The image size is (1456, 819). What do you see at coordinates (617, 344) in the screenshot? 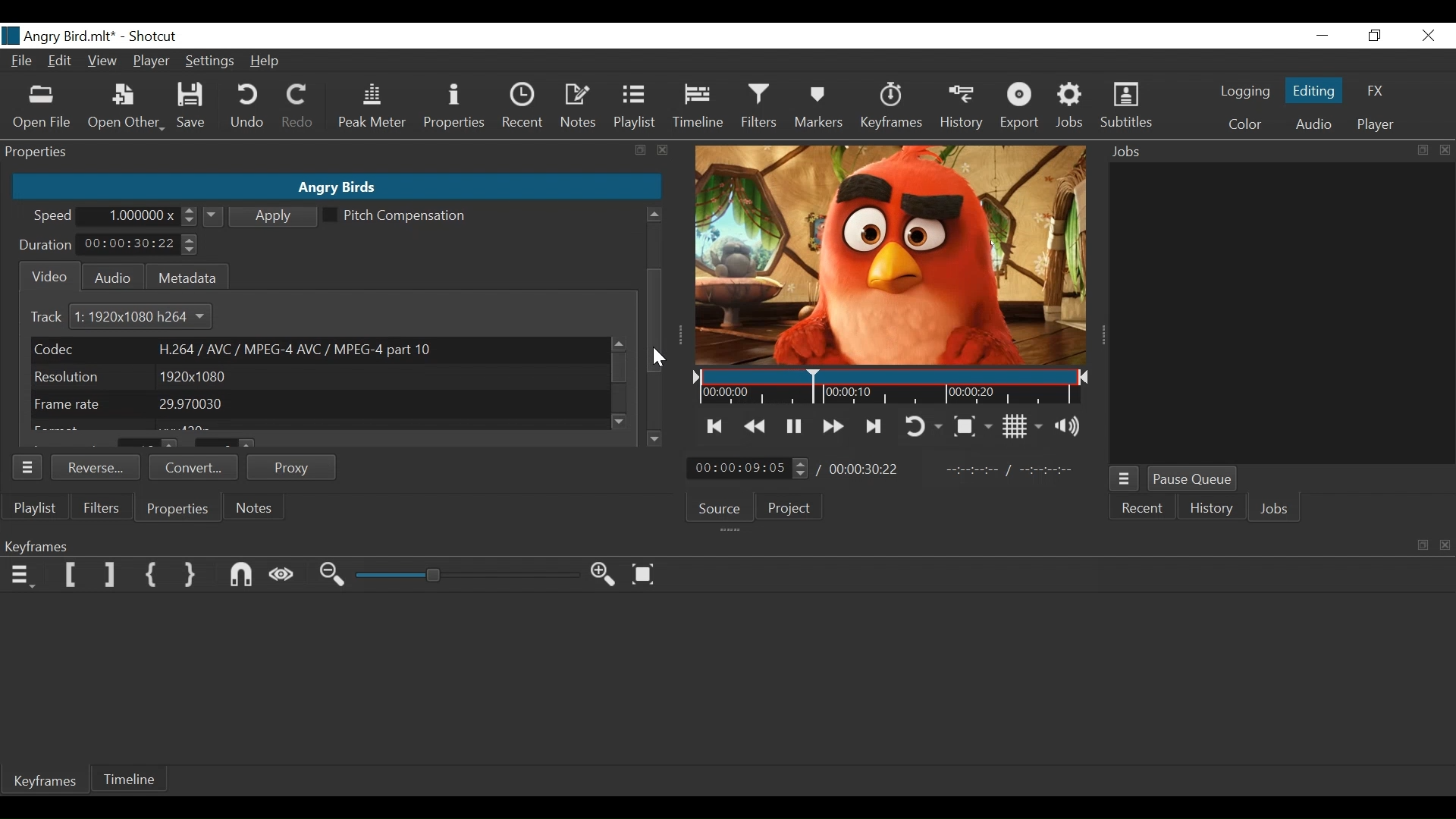
I see `Scroll up` at bounding box center [617, 344].